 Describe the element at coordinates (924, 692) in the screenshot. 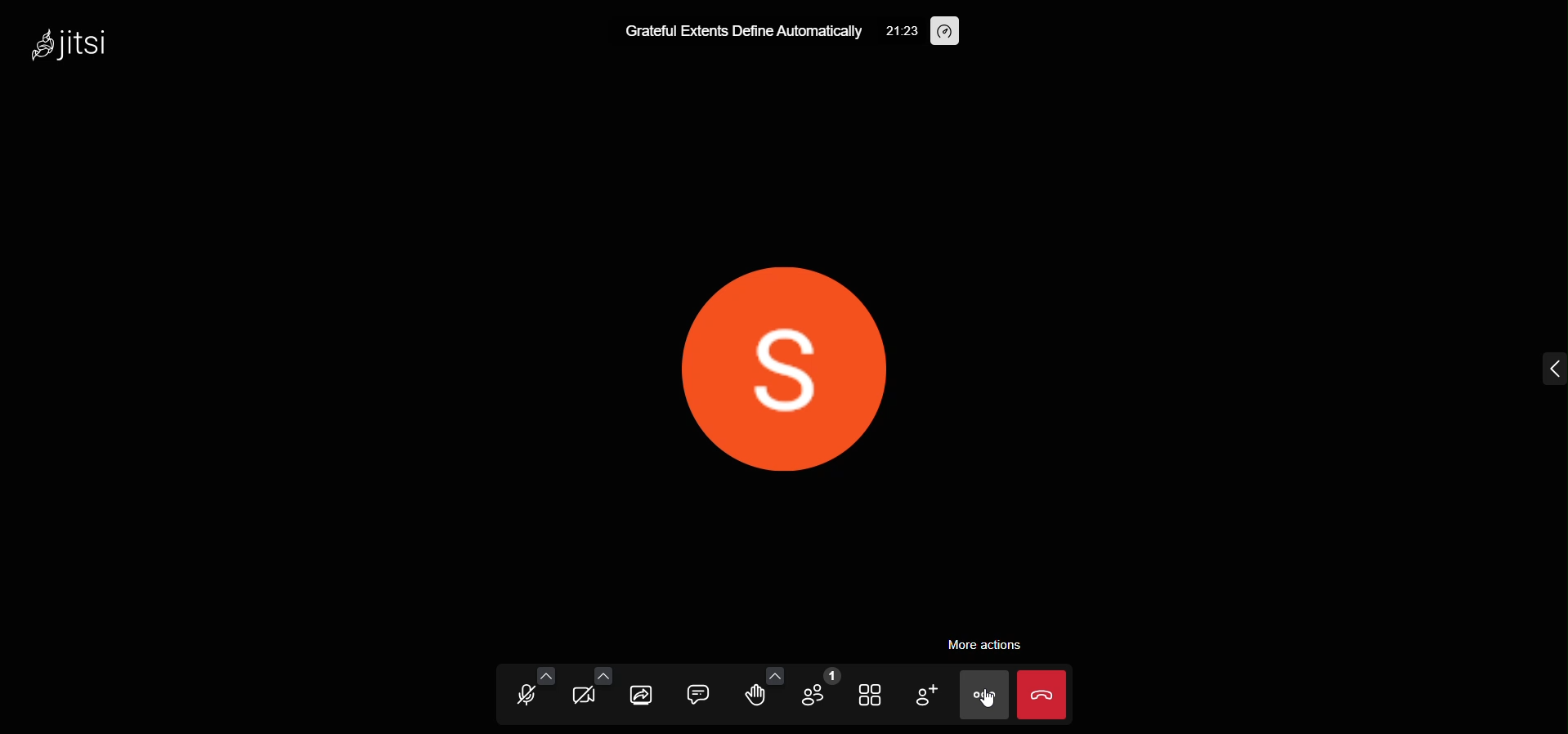

I see `invite people` at that location.